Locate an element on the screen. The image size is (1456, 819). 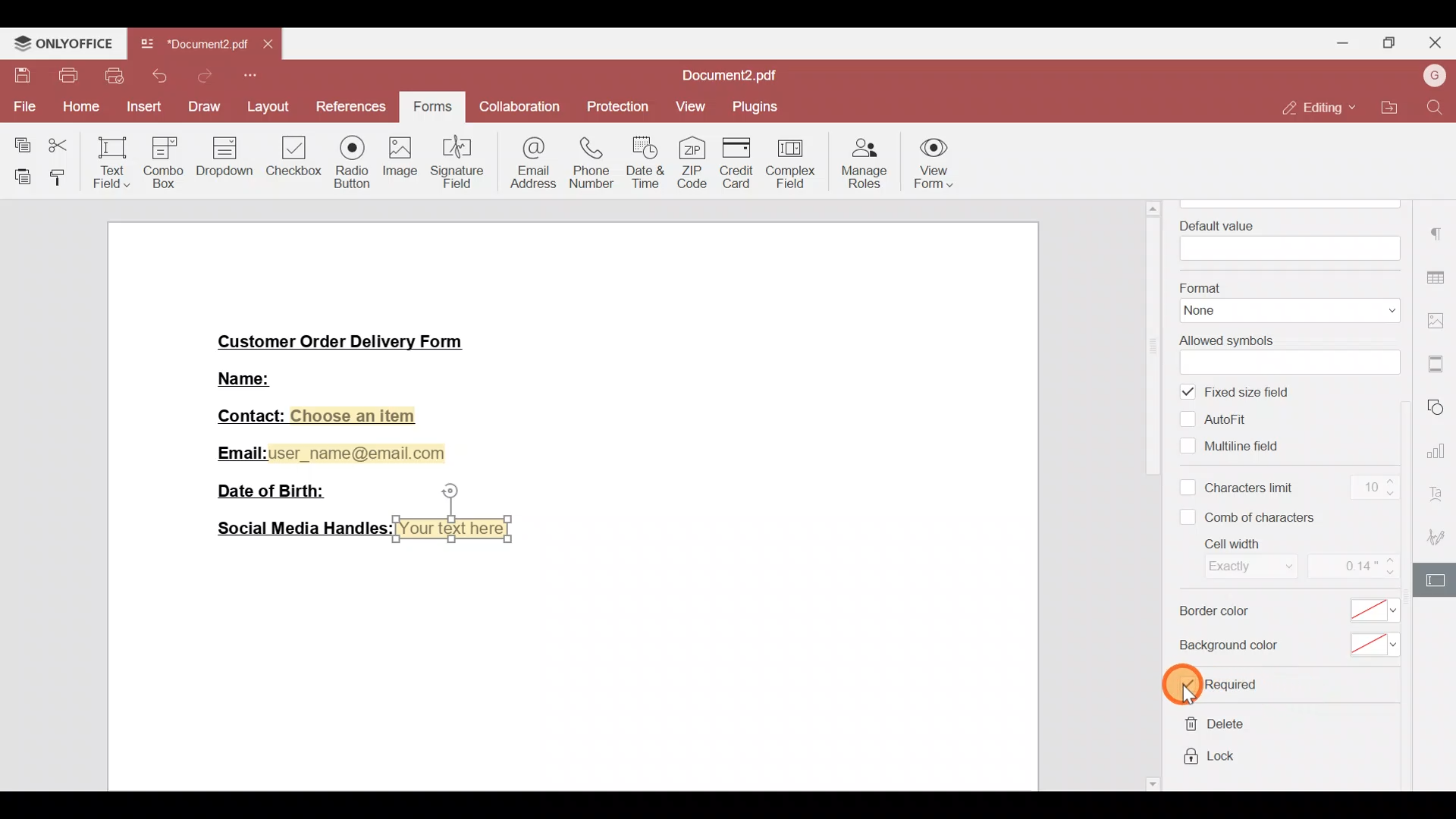
Table settings is located at coordinates (1438, 275).